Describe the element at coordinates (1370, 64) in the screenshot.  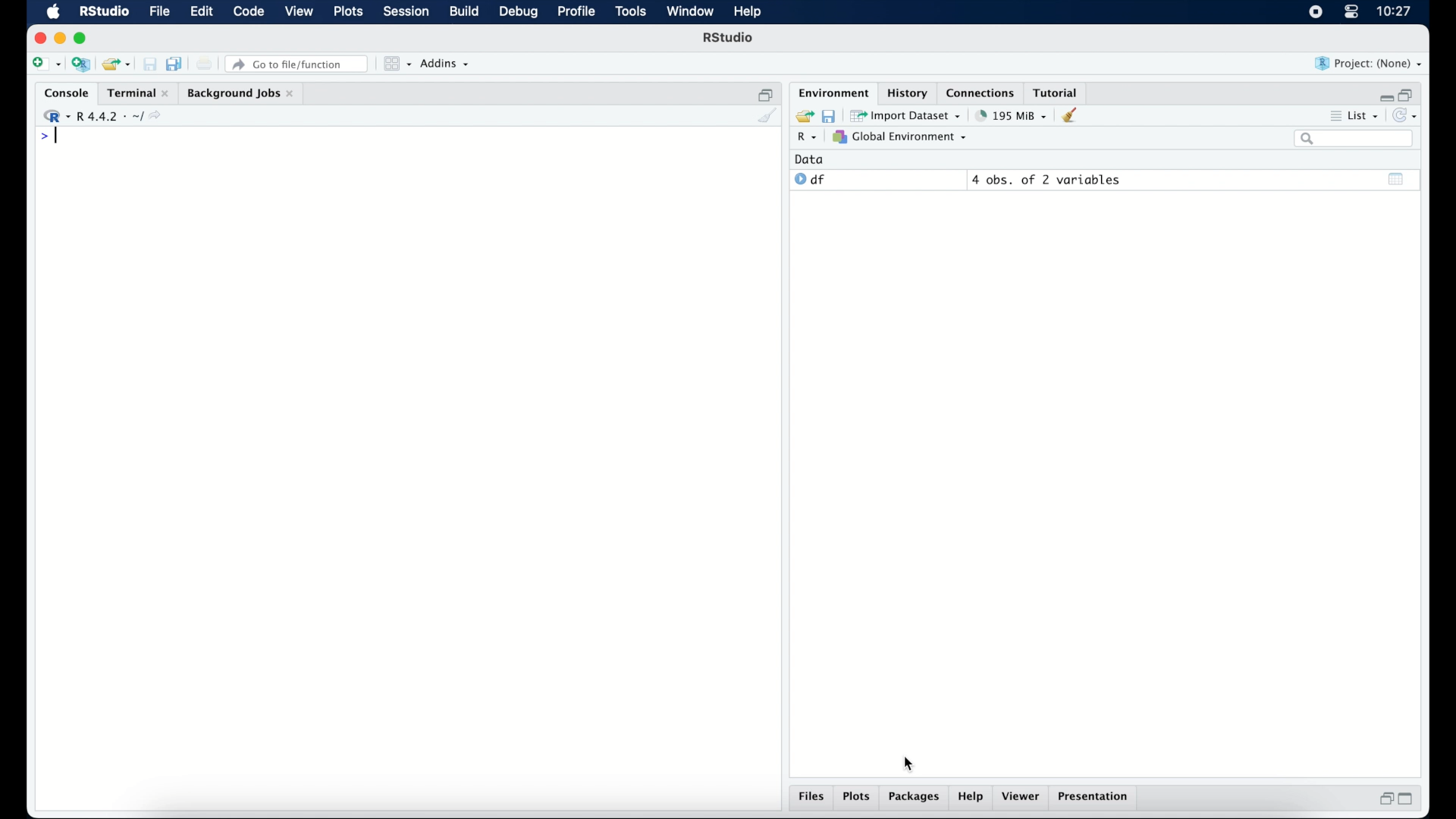
I see `project (none)` at that location.